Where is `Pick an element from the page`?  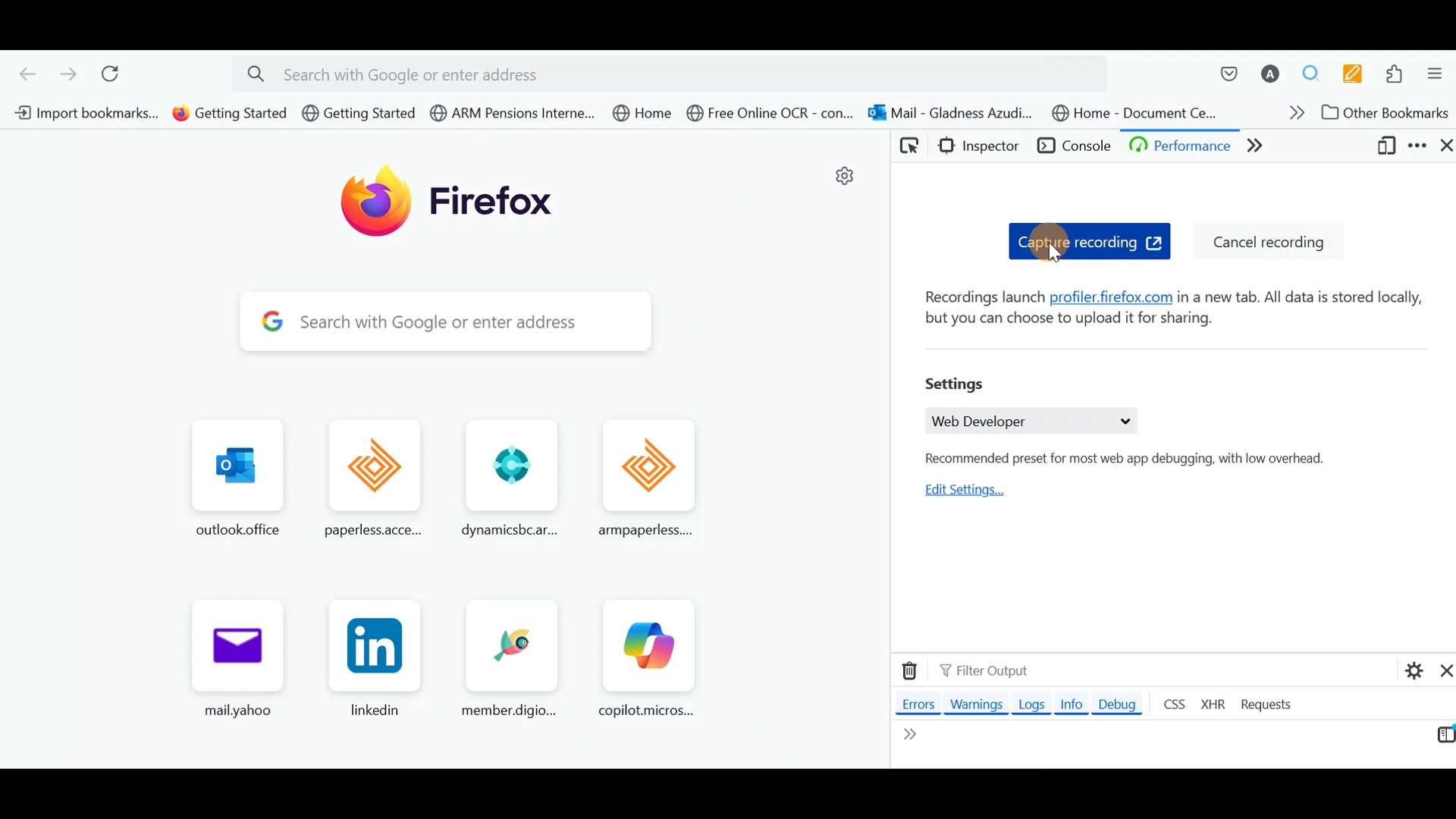 Pick an element from the page is located at coordinates (908, 146).